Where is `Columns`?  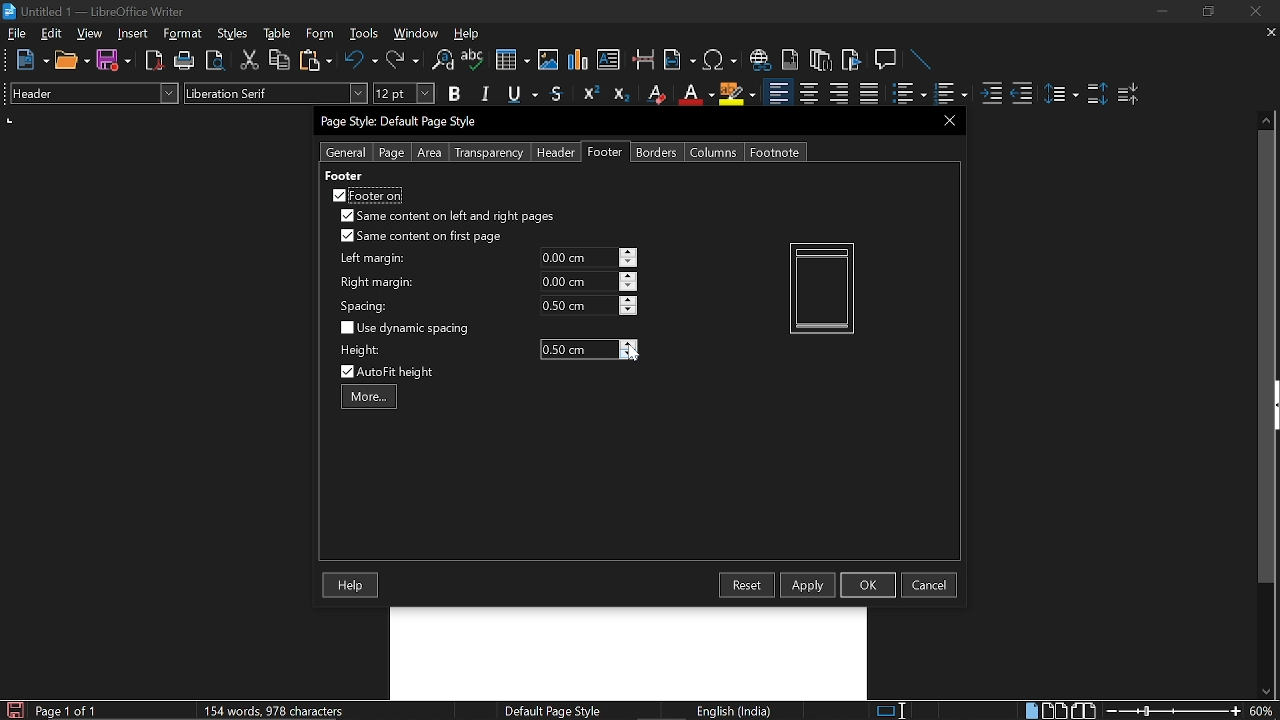
Columns is located at coordinates (714, 152).